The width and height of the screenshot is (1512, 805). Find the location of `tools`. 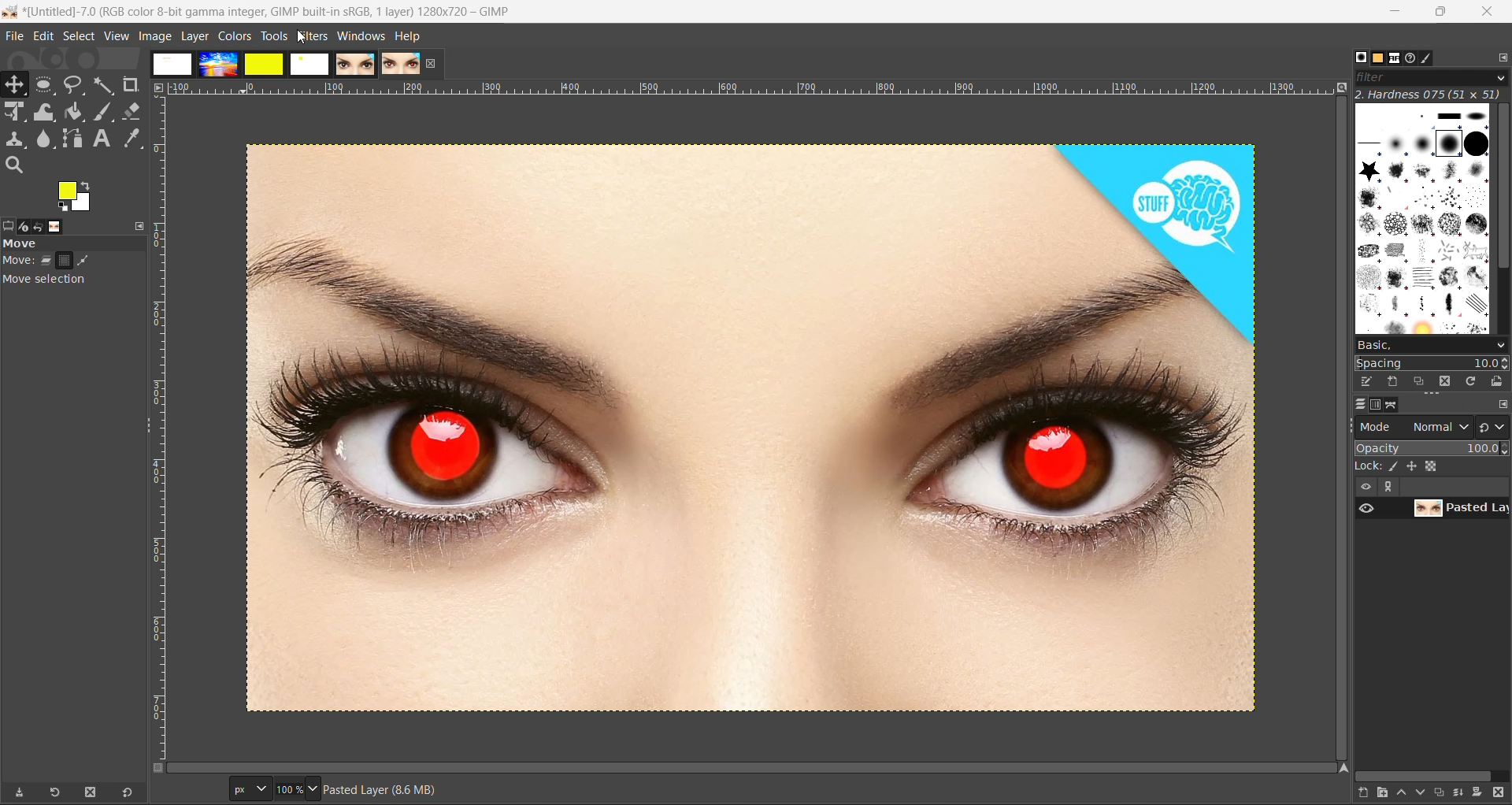

tools is located at coordinates (273, 37).